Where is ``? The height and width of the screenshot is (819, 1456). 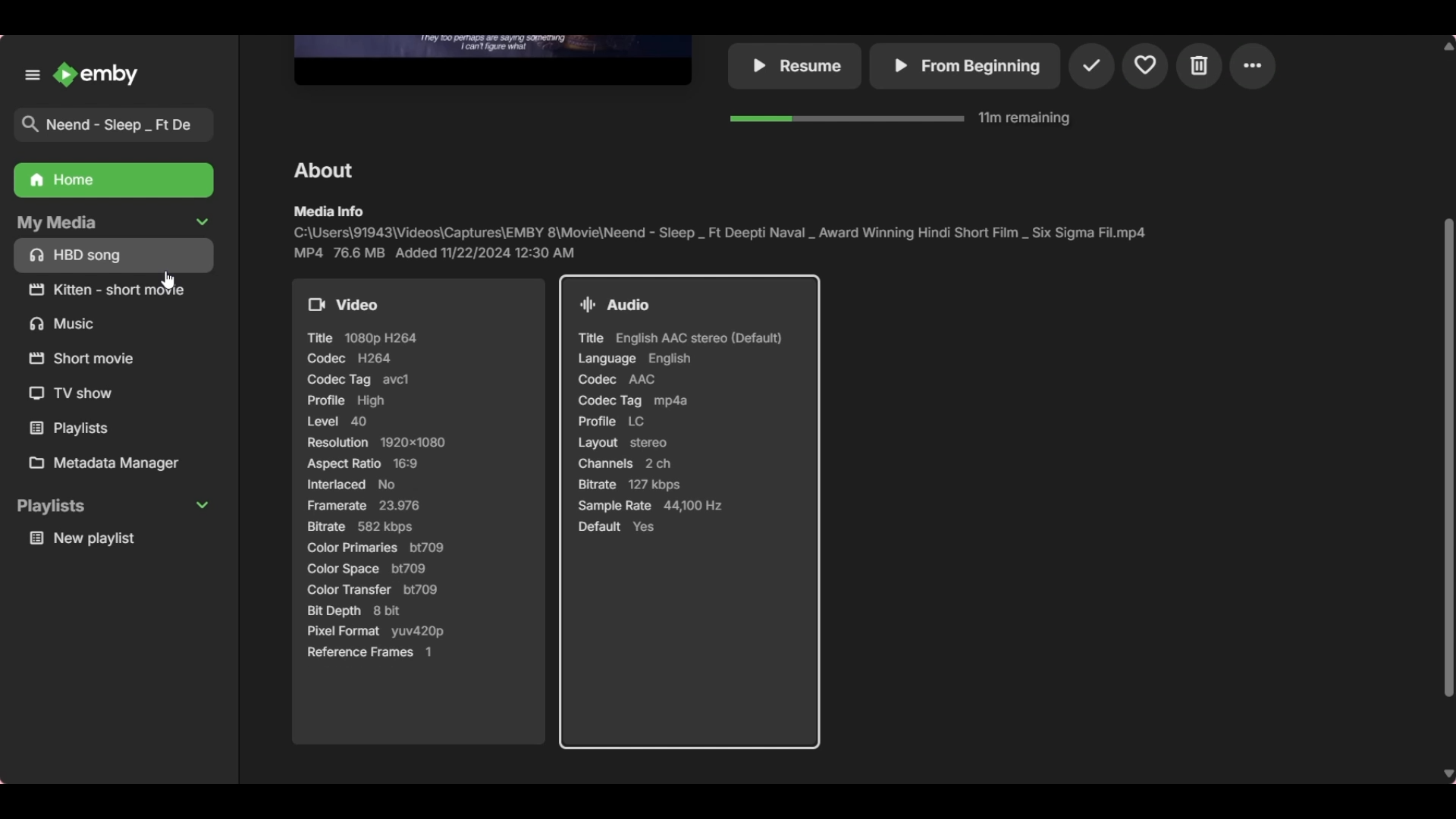
 is located at coordinates (904, 120).